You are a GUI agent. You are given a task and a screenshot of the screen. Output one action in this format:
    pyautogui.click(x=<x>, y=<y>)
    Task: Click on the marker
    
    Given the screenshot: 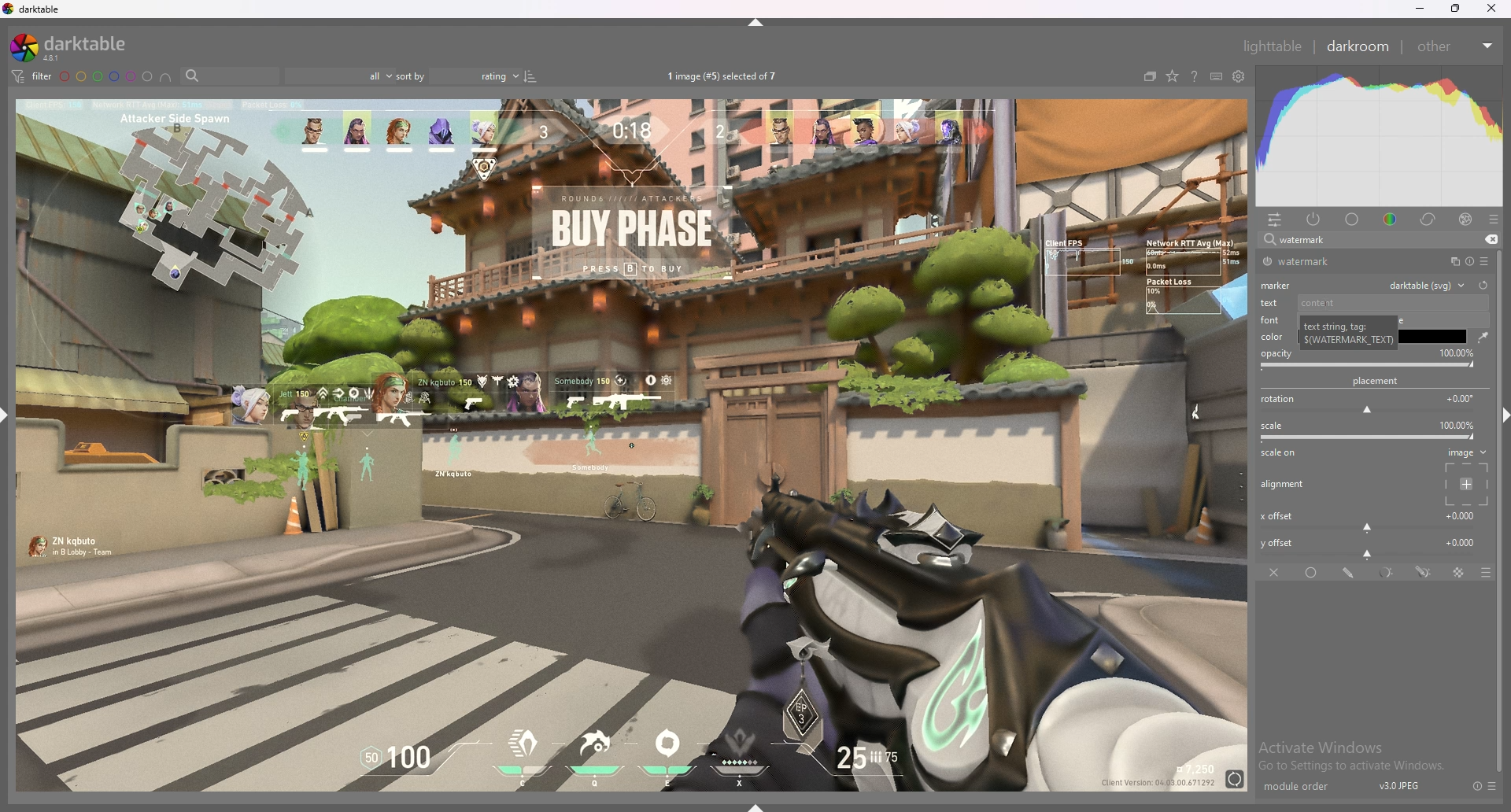 What is the action you would take?
    pyautogui.click(x=1279, y=284)
    